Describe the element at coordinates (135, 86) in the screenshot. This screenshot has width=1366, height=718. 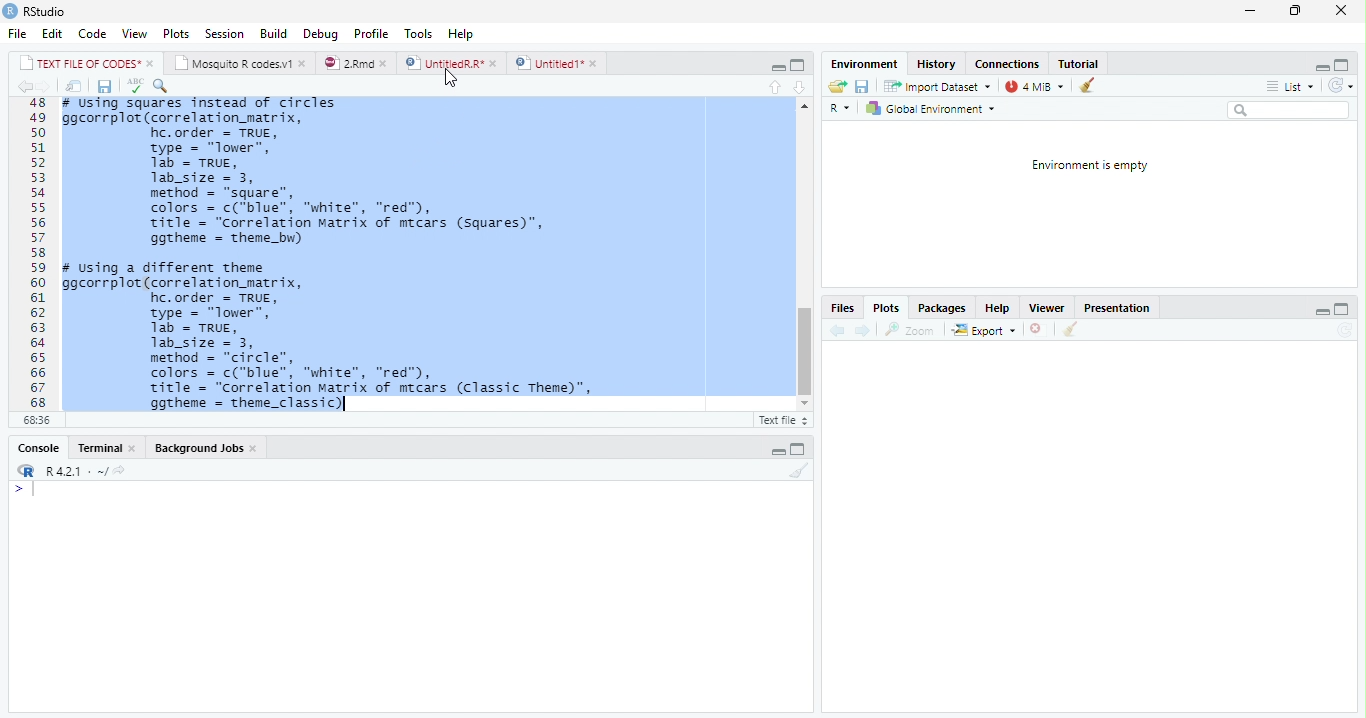
I see `spelling` at that location.